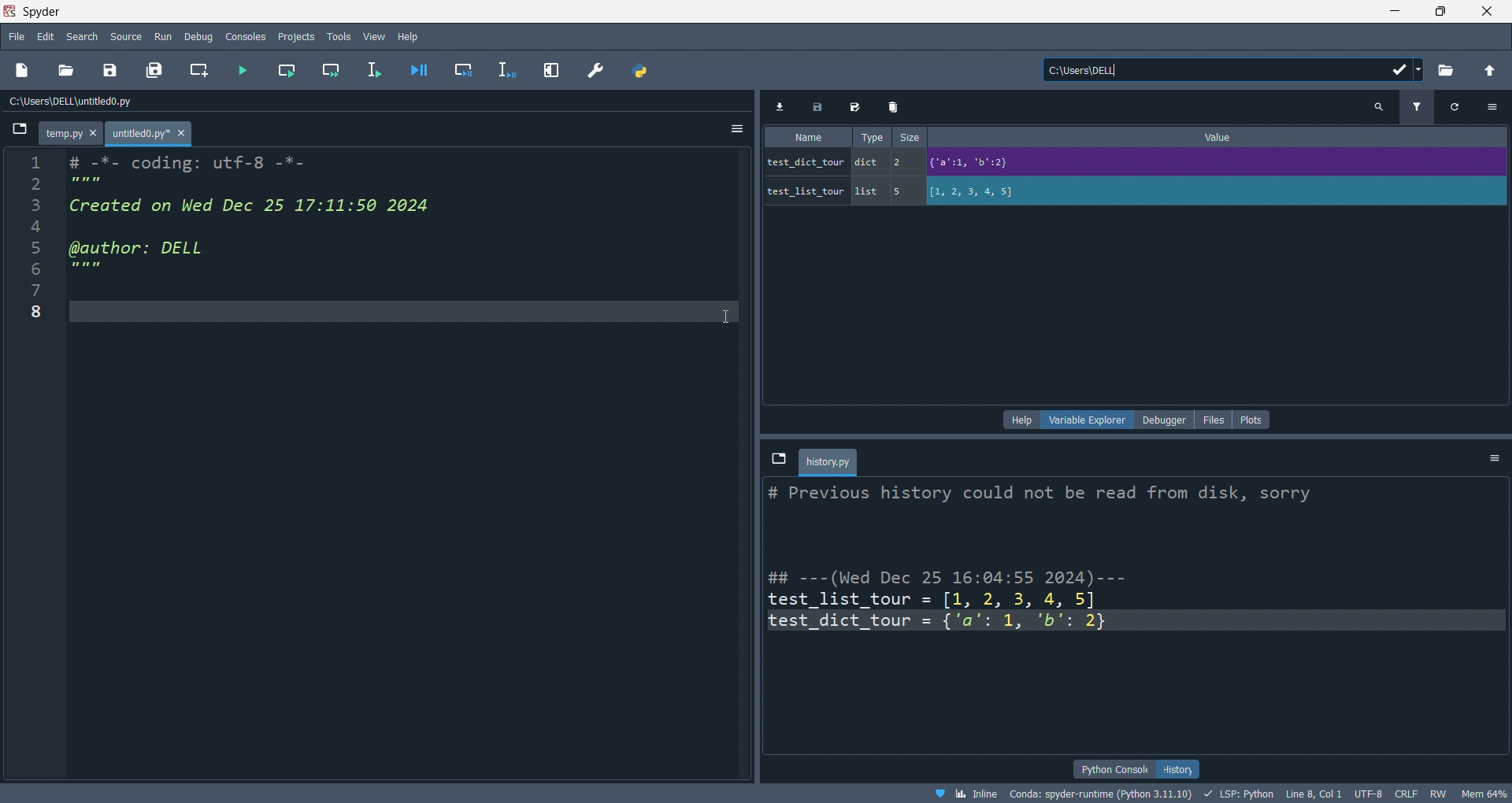 The image size is (1512, 803). I want to click on Line number, so click(35, 242).